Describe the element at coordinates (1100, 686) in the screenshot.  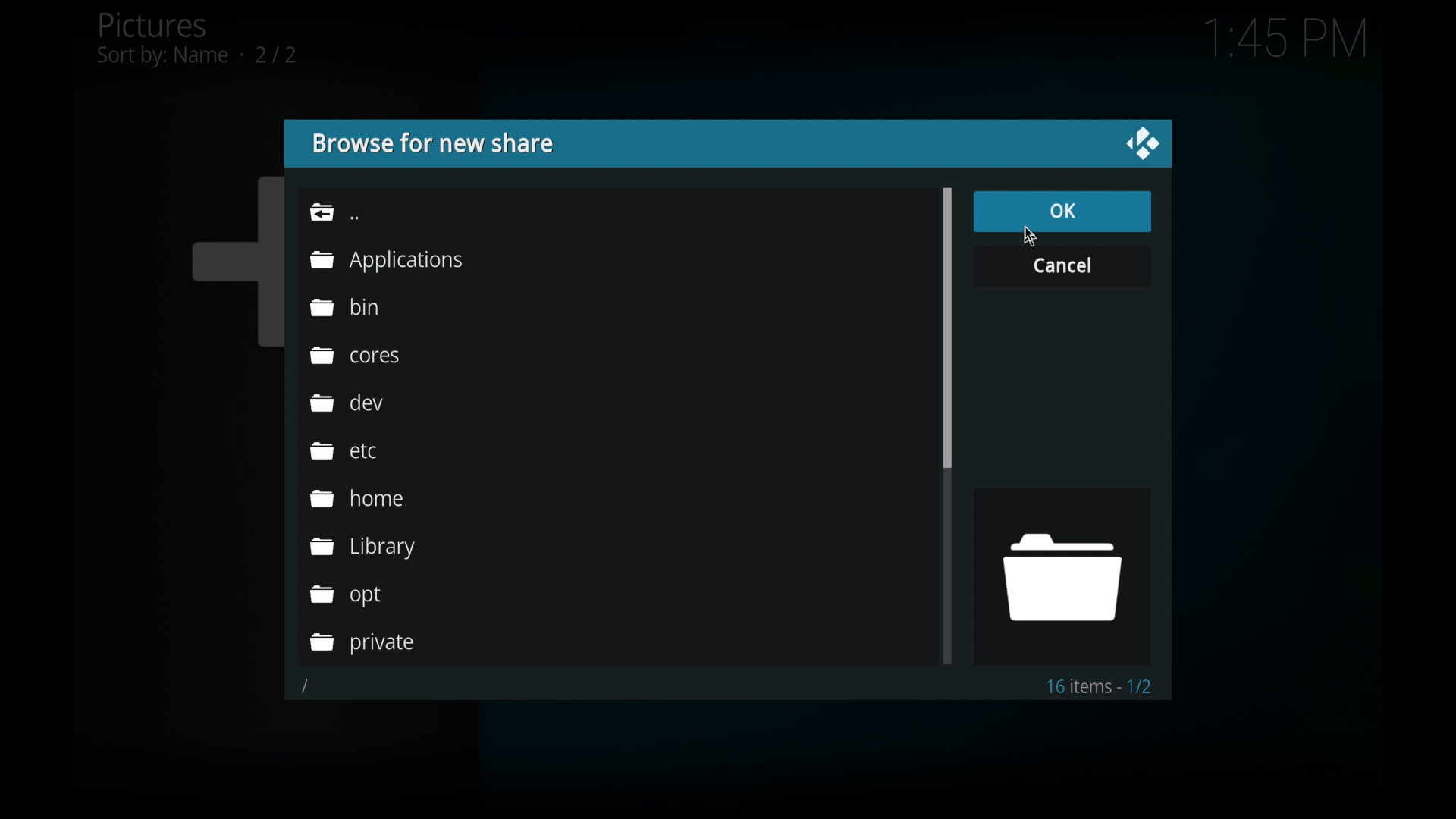
I see `16 items` at that location.